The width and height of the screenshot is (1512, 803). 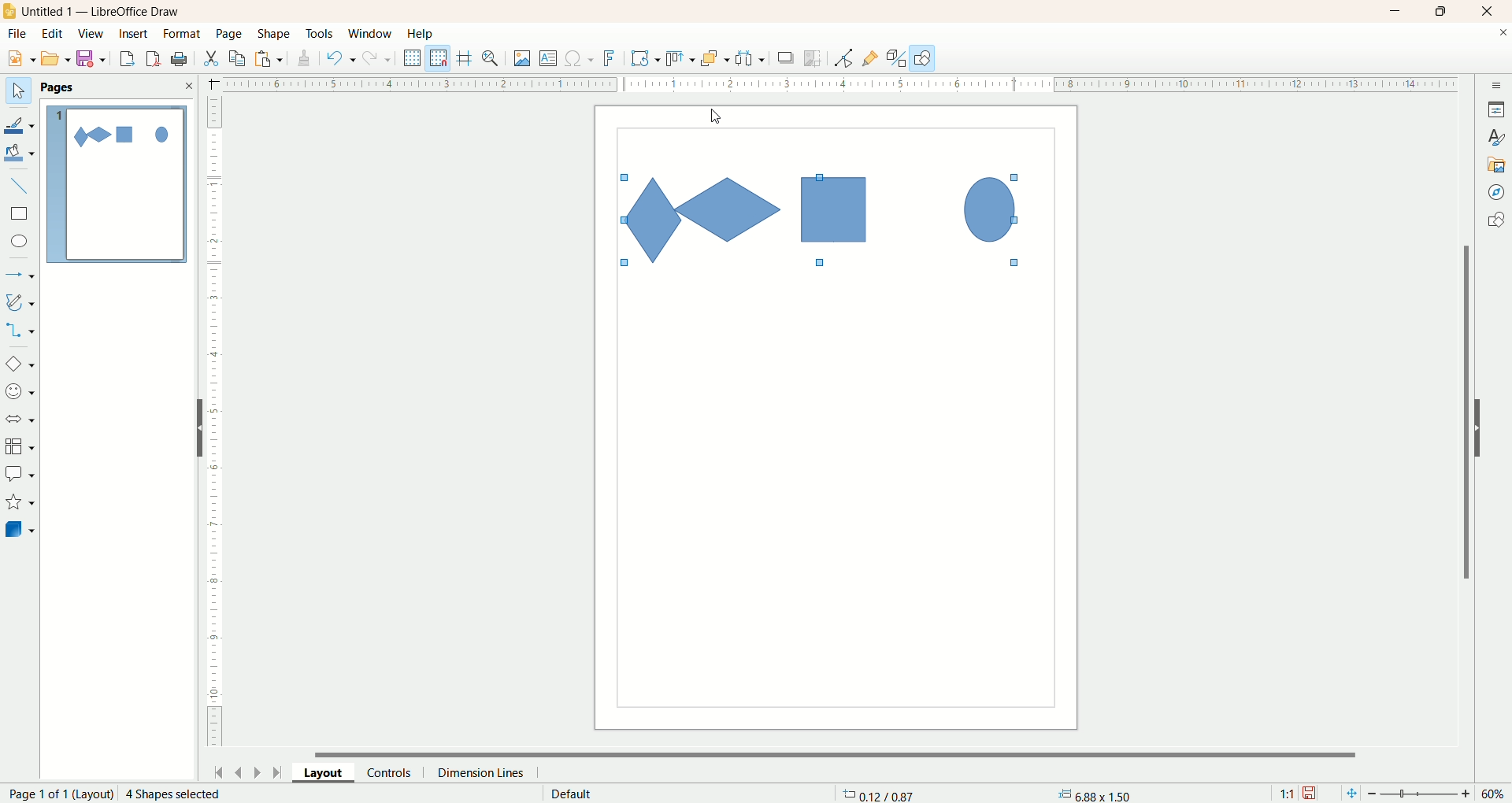 I want to click on scale factor, so click(x=1287, y=794).